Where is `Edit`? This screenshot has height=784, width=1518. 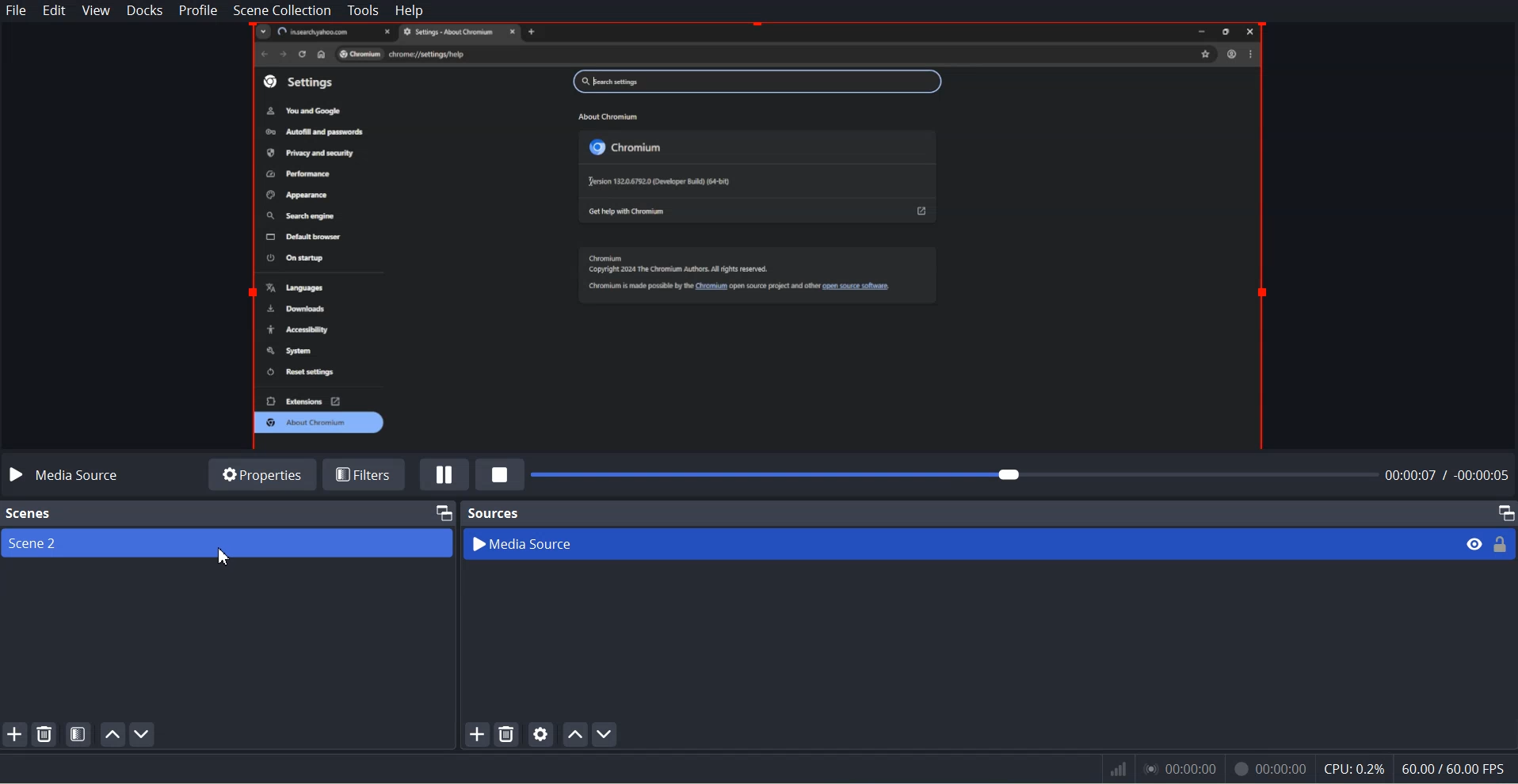 Edit is located at coordinates (52, 10).